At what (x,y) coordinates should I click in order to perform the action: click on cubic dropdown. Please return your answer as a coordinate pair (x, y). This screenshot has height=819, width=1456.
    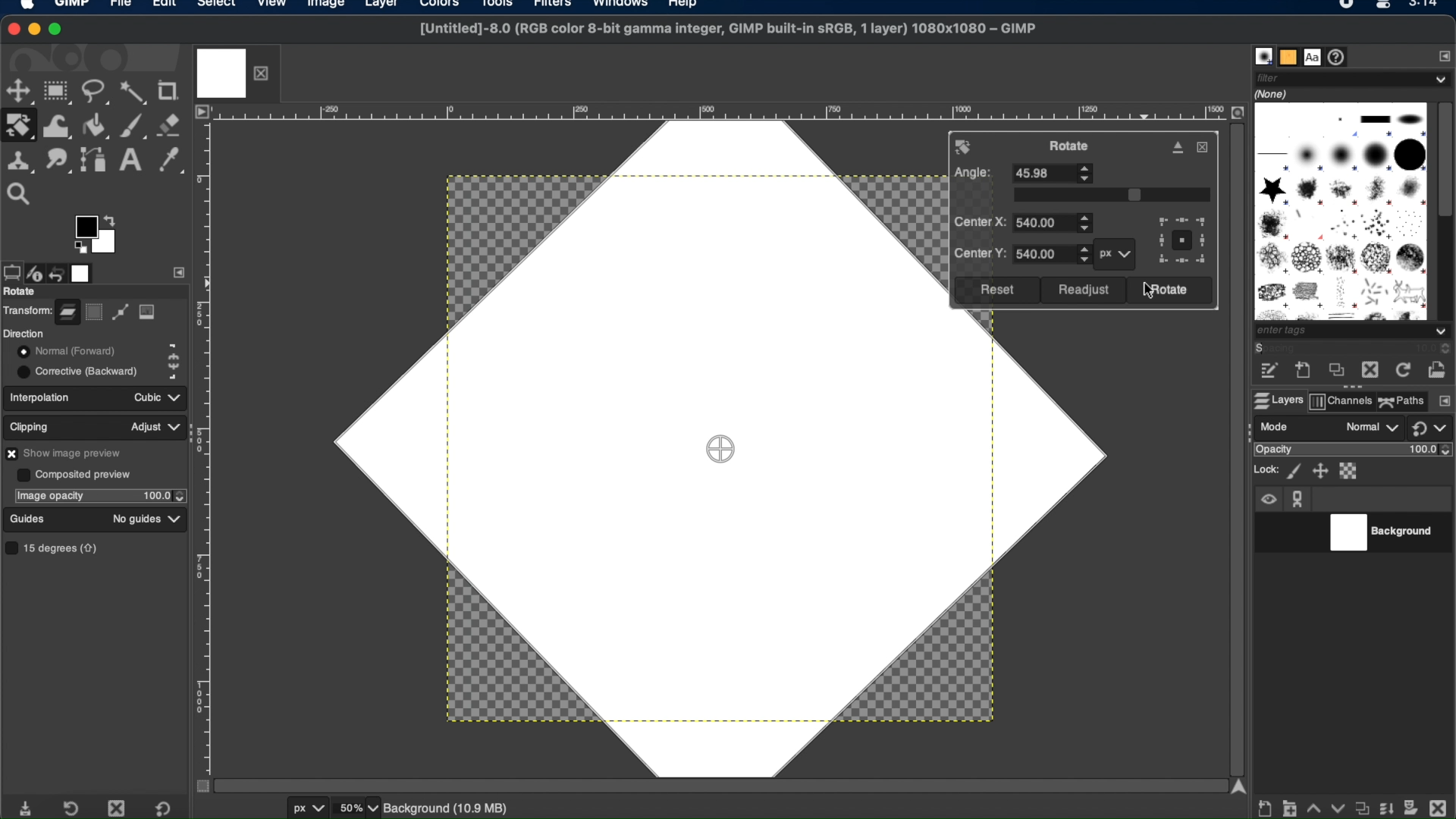
    Looking at the image, I should click on (153, 397).